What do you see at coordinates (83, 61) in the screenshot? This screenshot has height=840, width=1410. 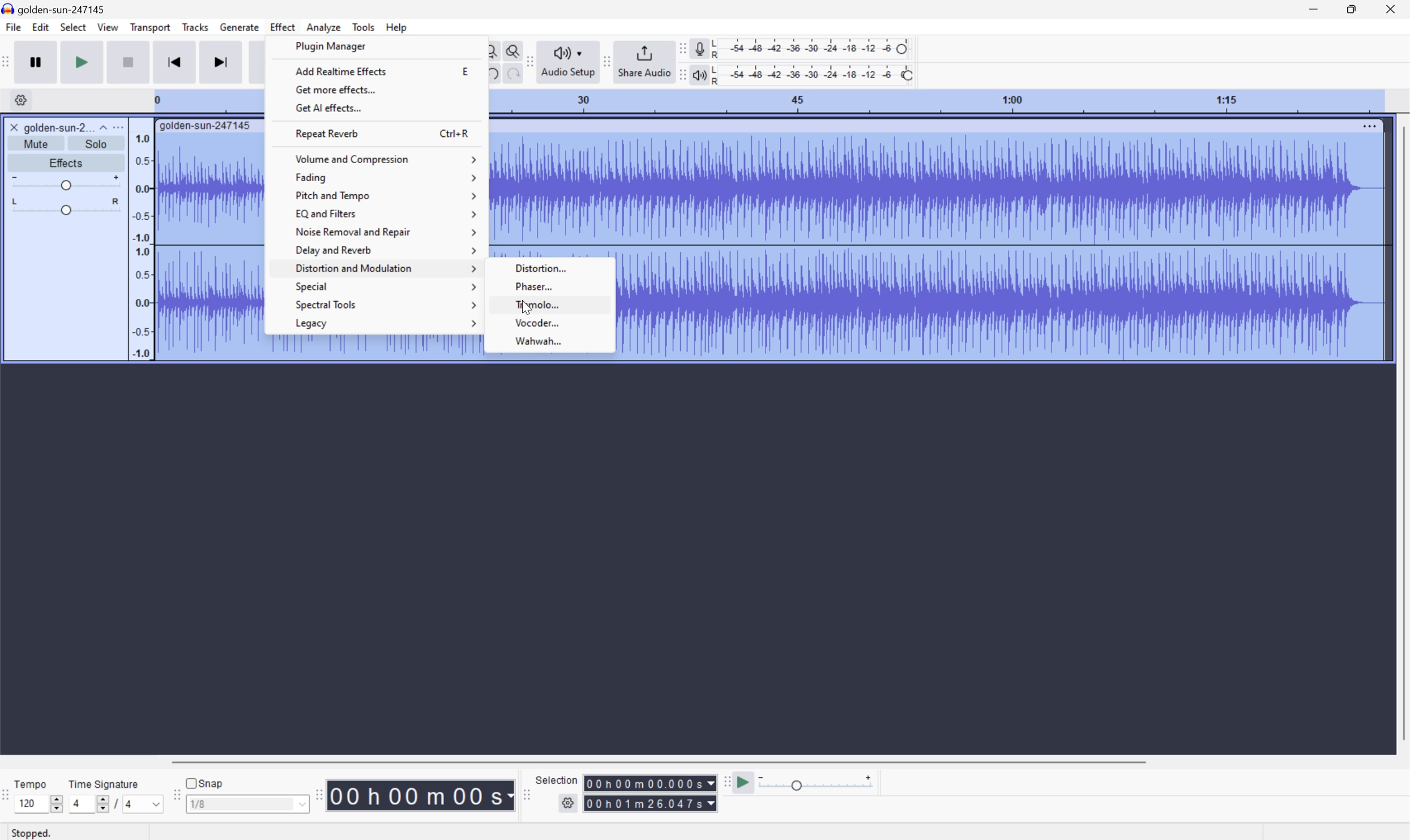 I see `Play` at bounding box center [83, 61].